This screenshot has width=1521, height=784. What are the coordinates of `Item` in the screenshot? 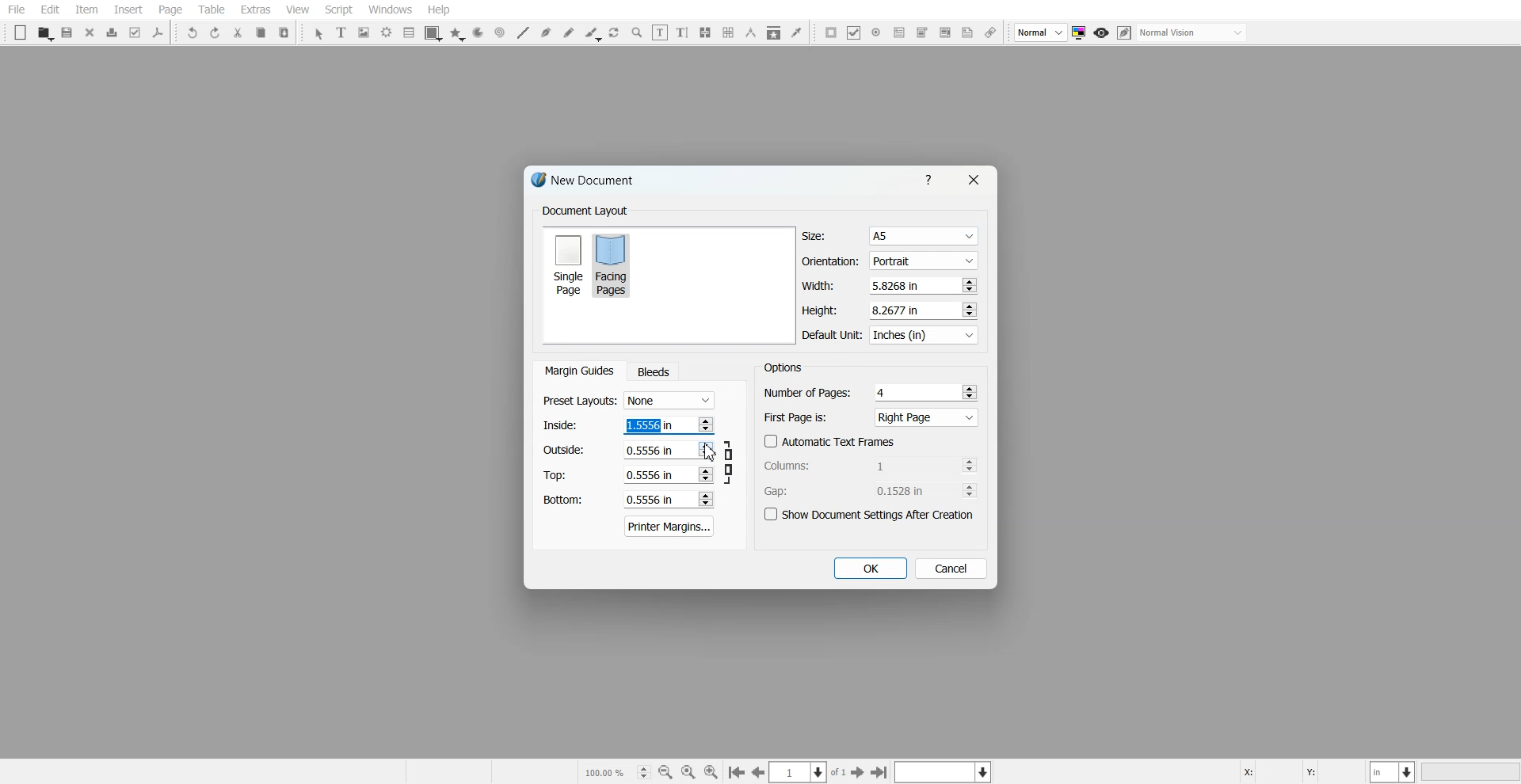 It's located at (86, 10).